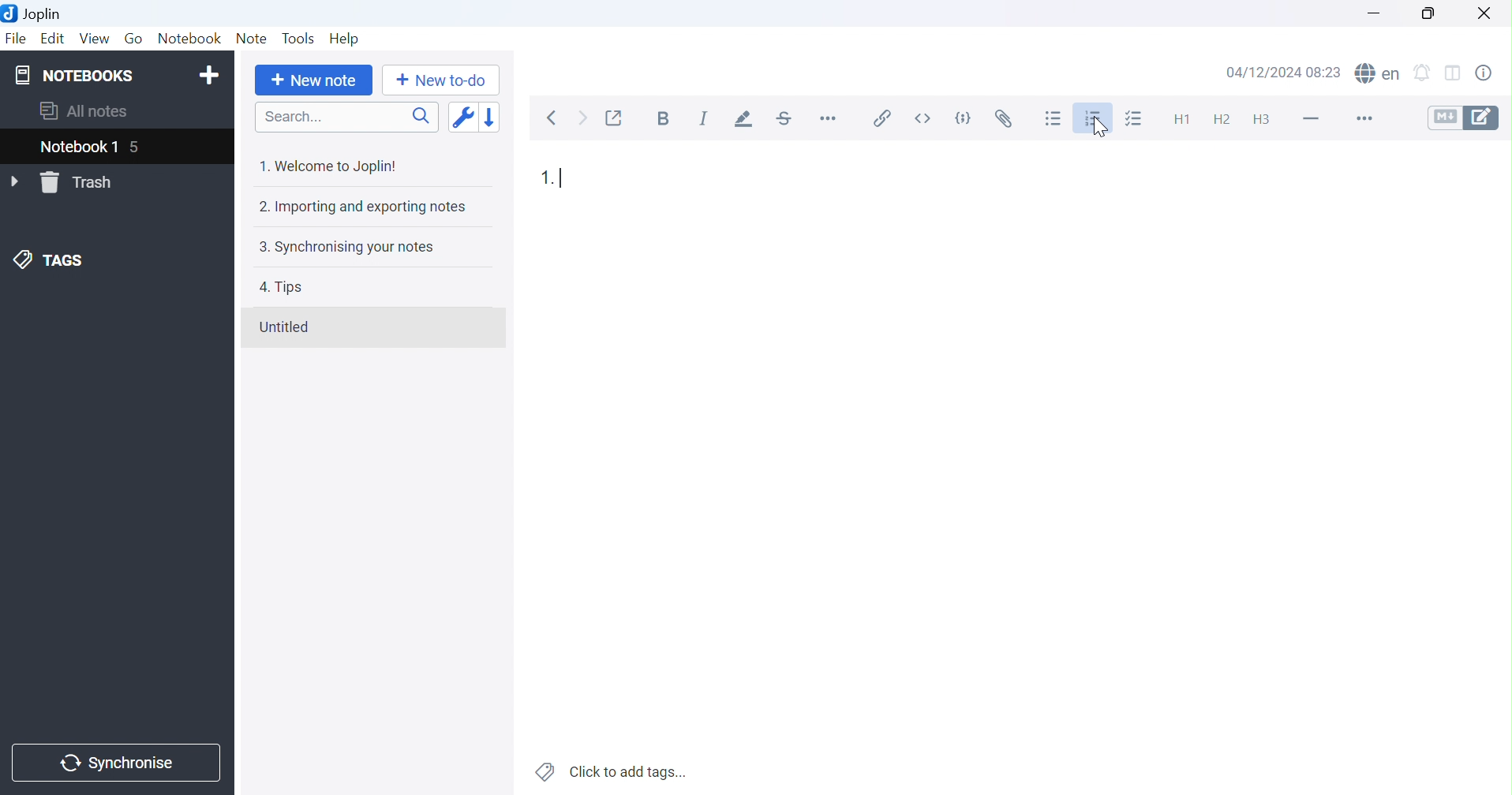  I want to click on Inline code, so click(922, 118).